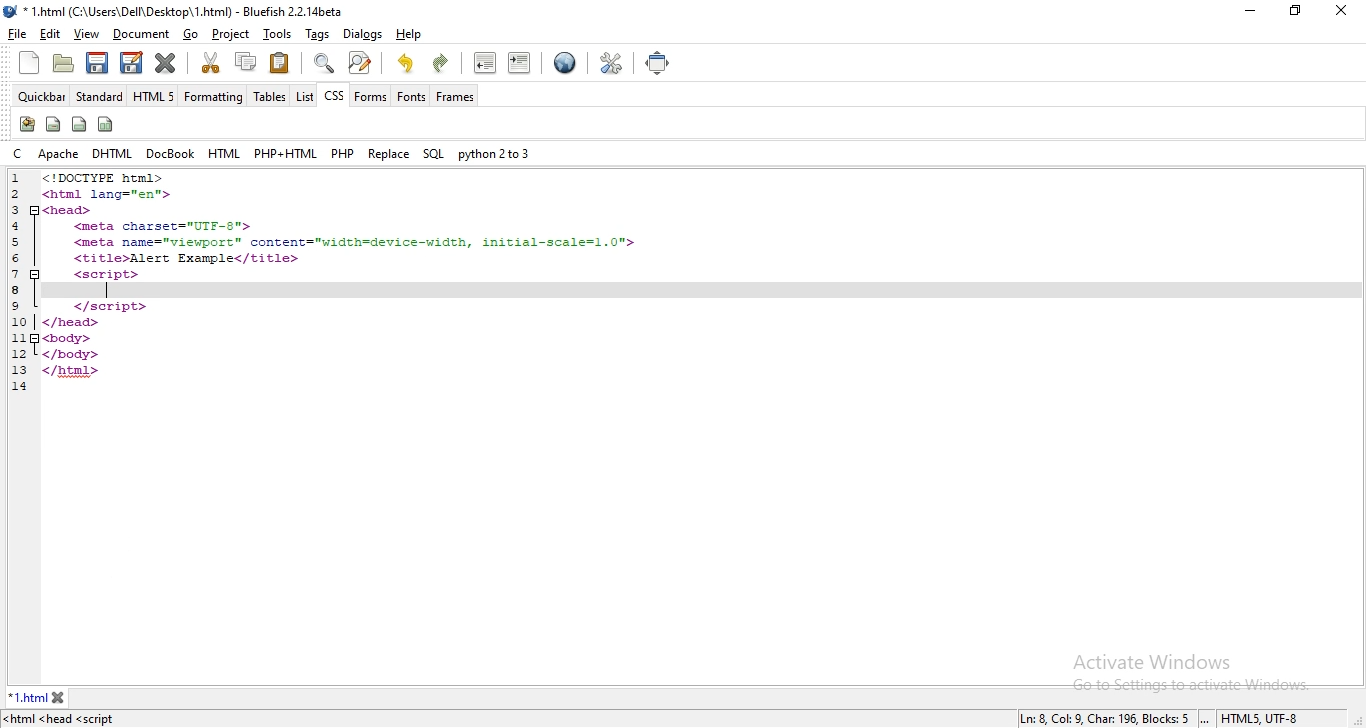 The image size is (1366, 728). What do you see at coordinates (277, 33) in the screenshot?
I see `tools` at bounding box center [277, 33].